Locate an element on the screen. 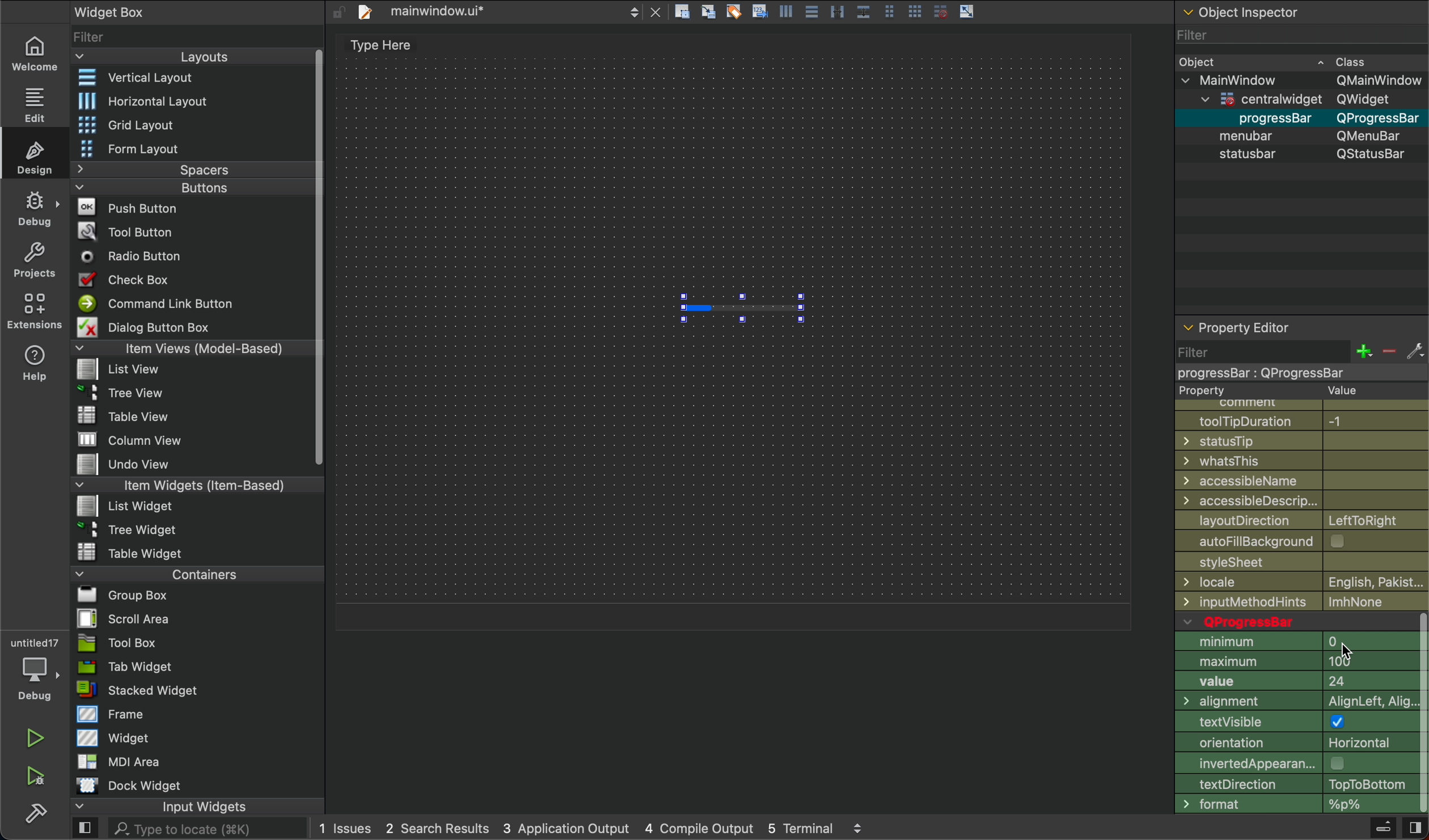 This screenshot has height=840, width=1429. autofill is located at coordinates (1307, 542).